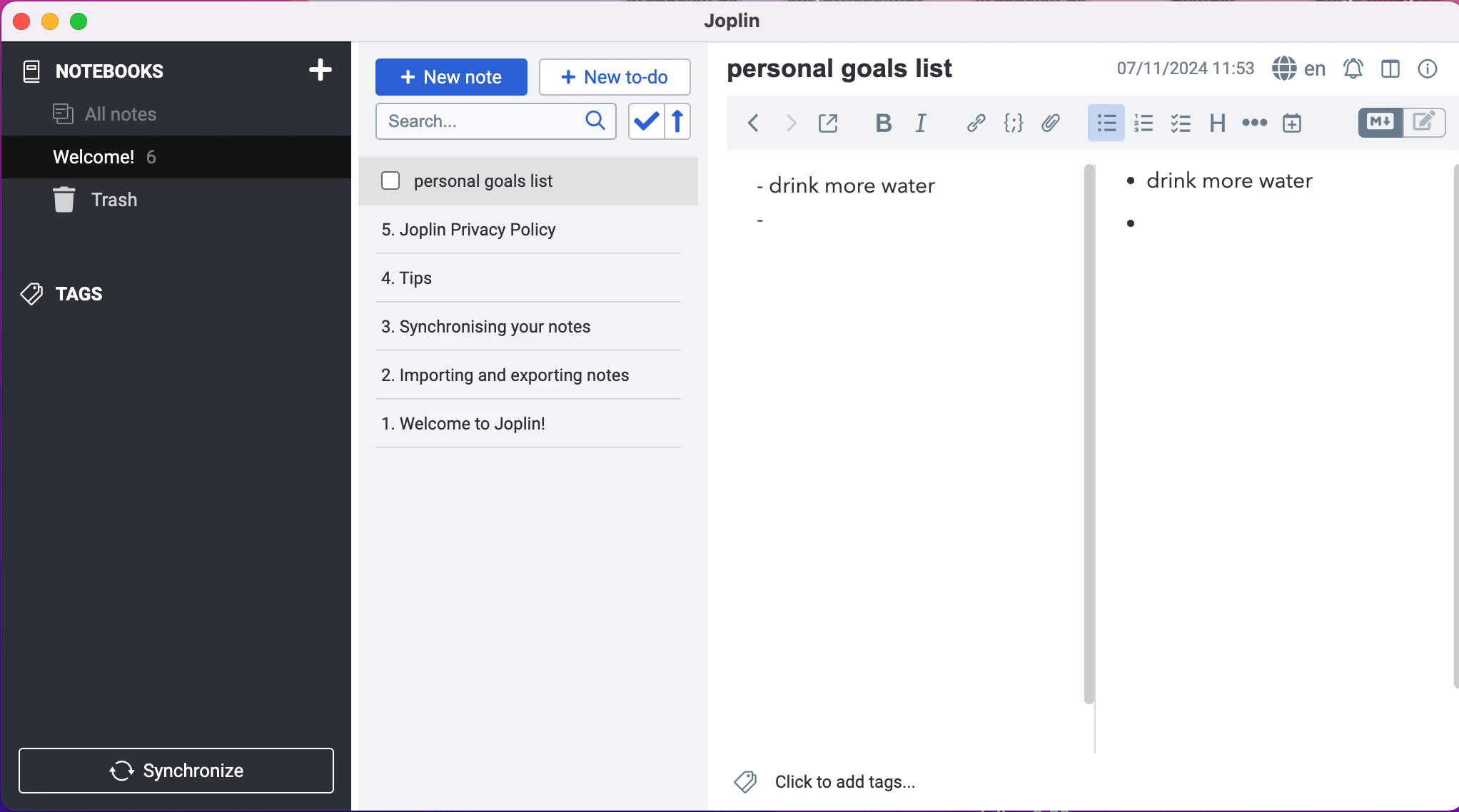  What do you see at coordinates (495, 377) in the screenshot?
I see `welcome to joplin!` at bounding box center [495, 377].